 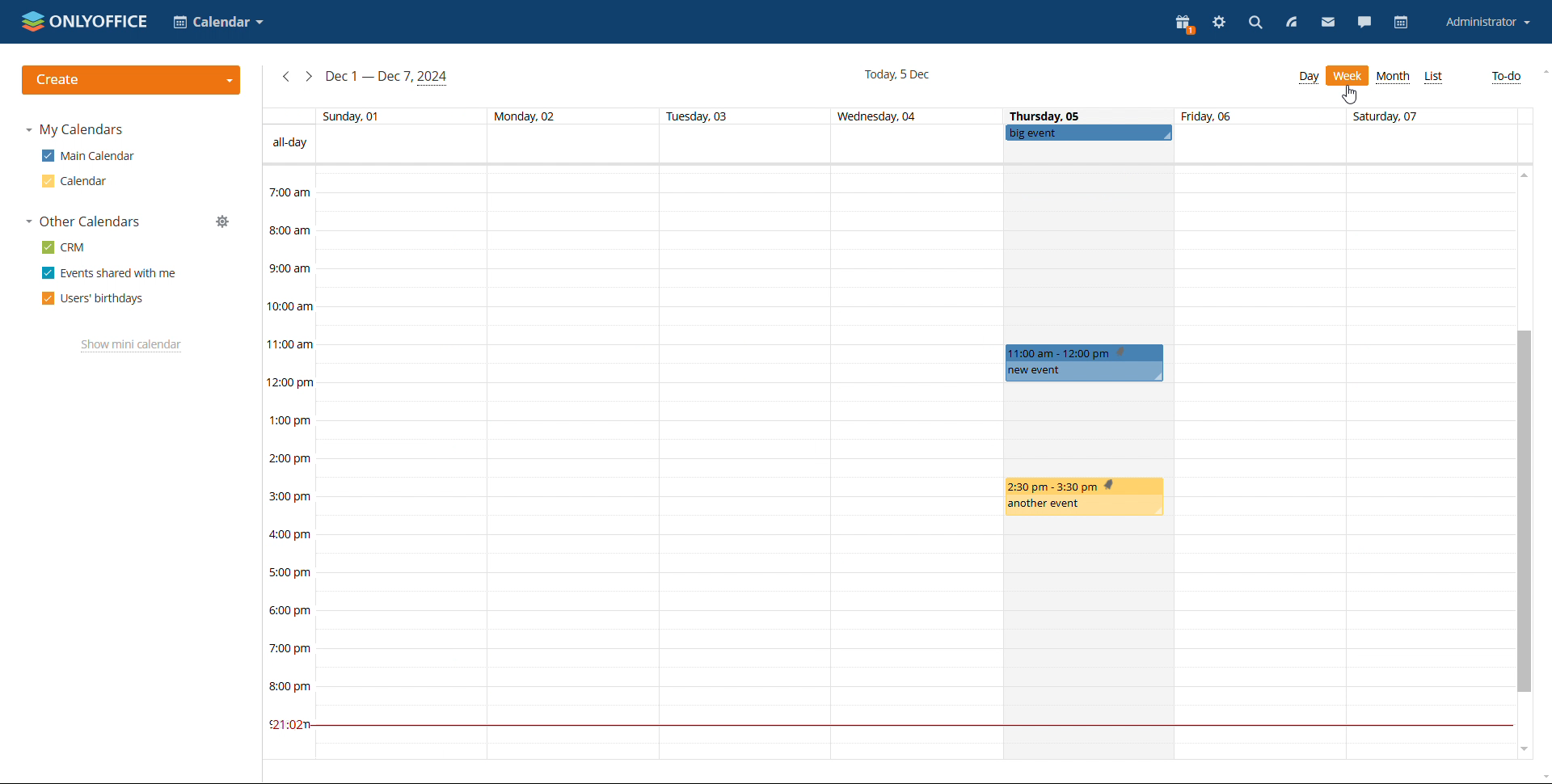 I want to click on select calendar, so click(x=219, y=22).